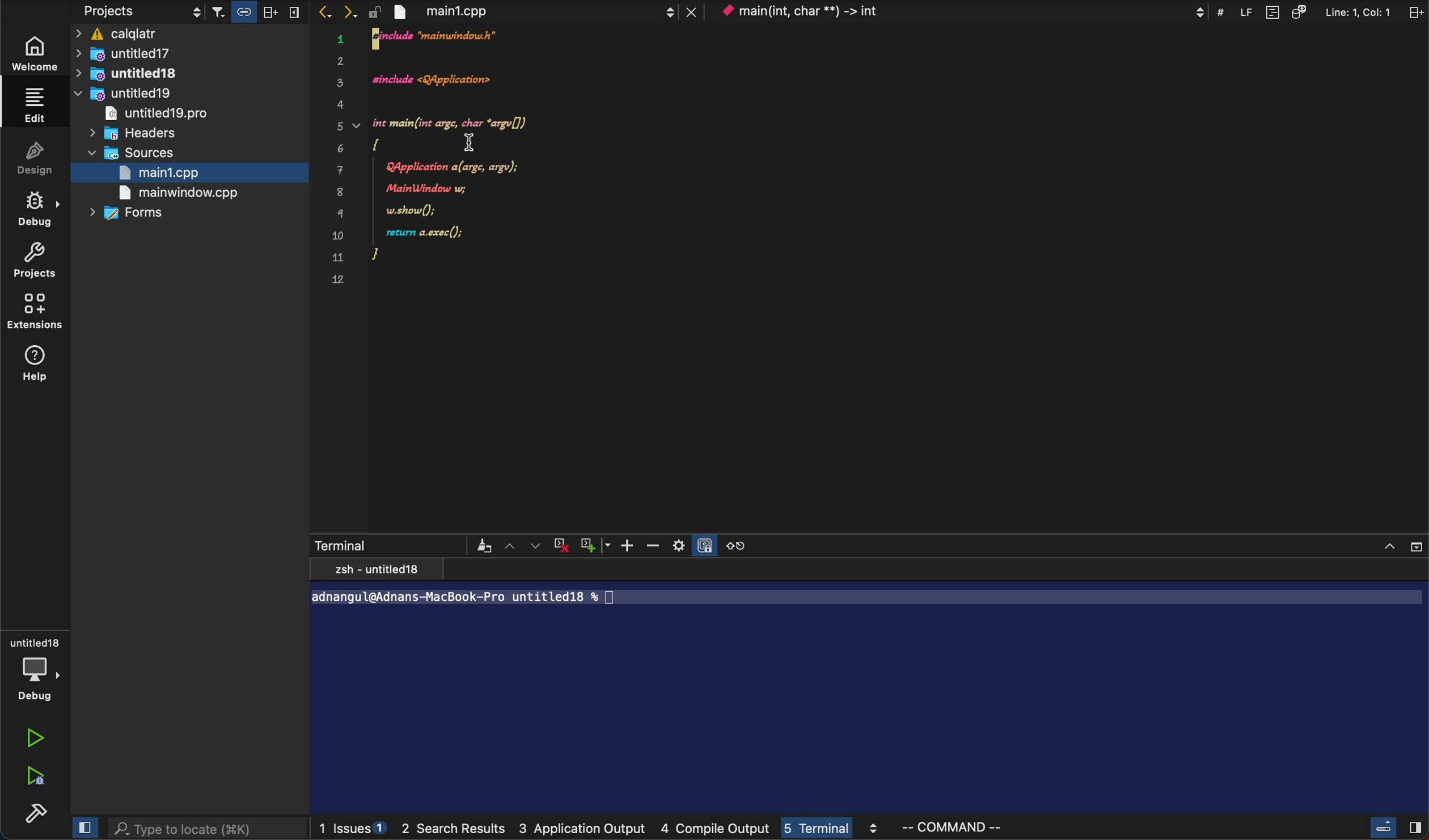 The image size is (1429, 840). Describe the element at coordinates (33, 261) in the screenshot. I see `projects` at that location.